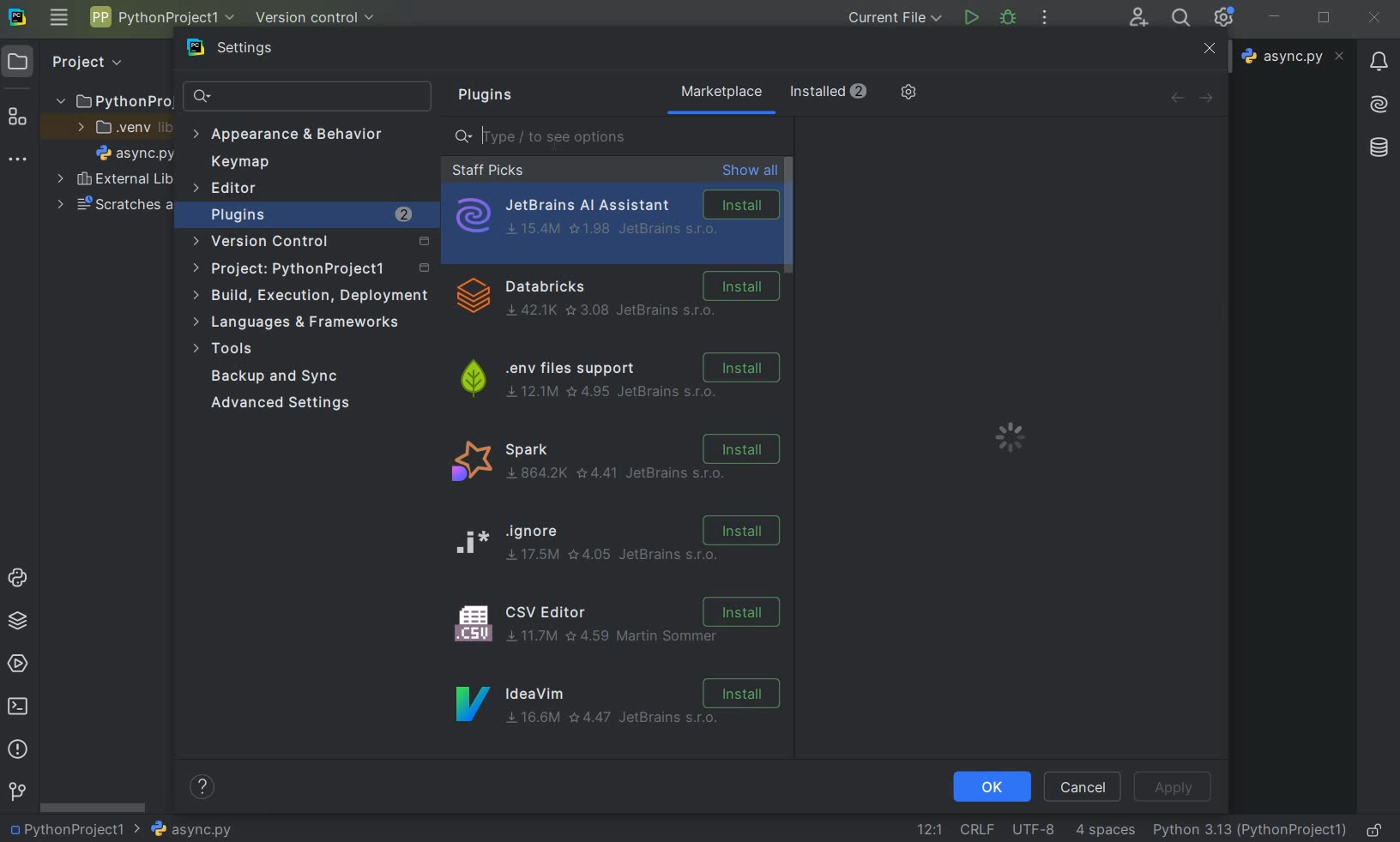 Image resolution: width=1400 pixels, height=842 pixels. Describe the element at coordinates (1250, 831) in the screenshot. I see `current interpreter` at that location.